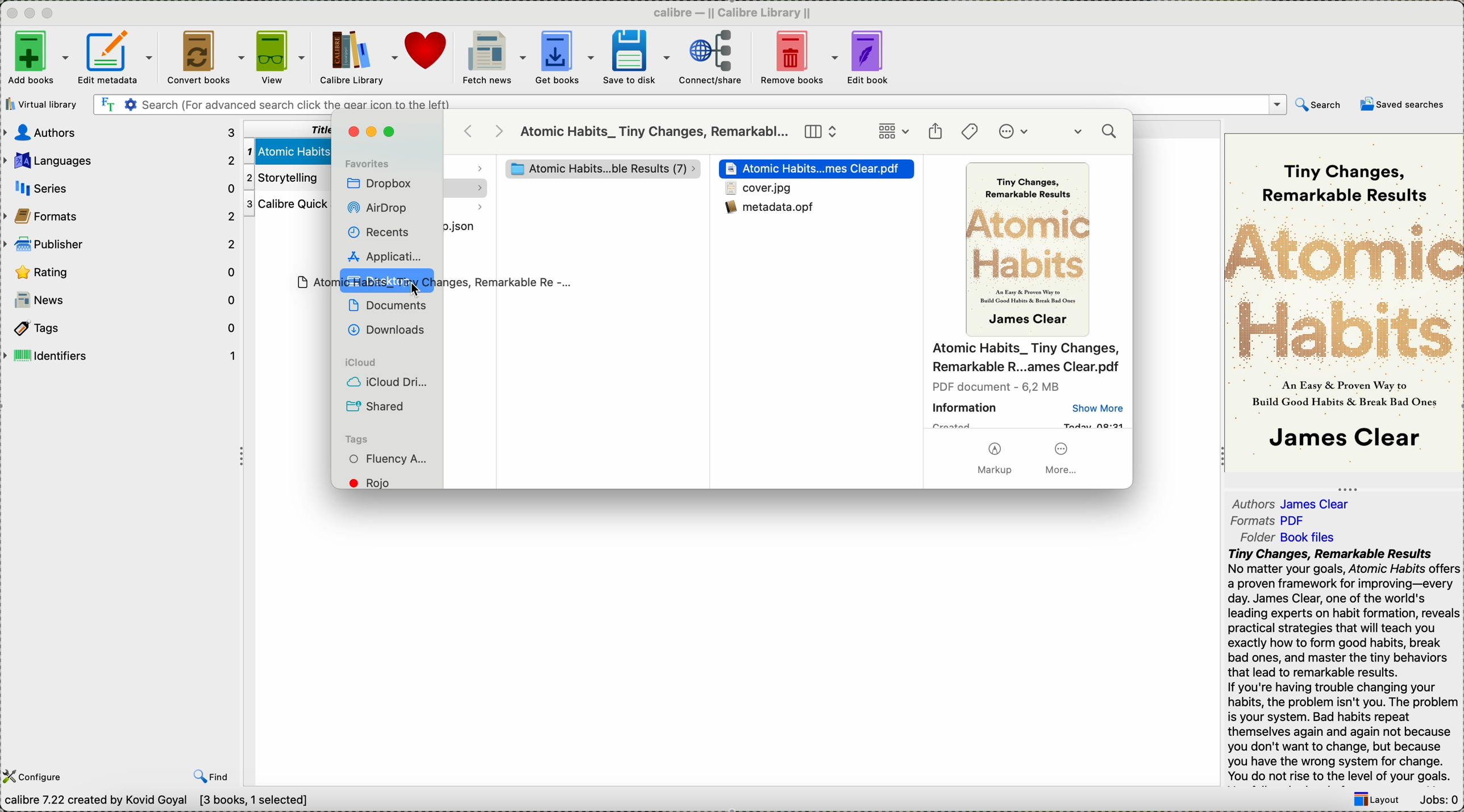  I want to click on book information, so click(1028, 406).